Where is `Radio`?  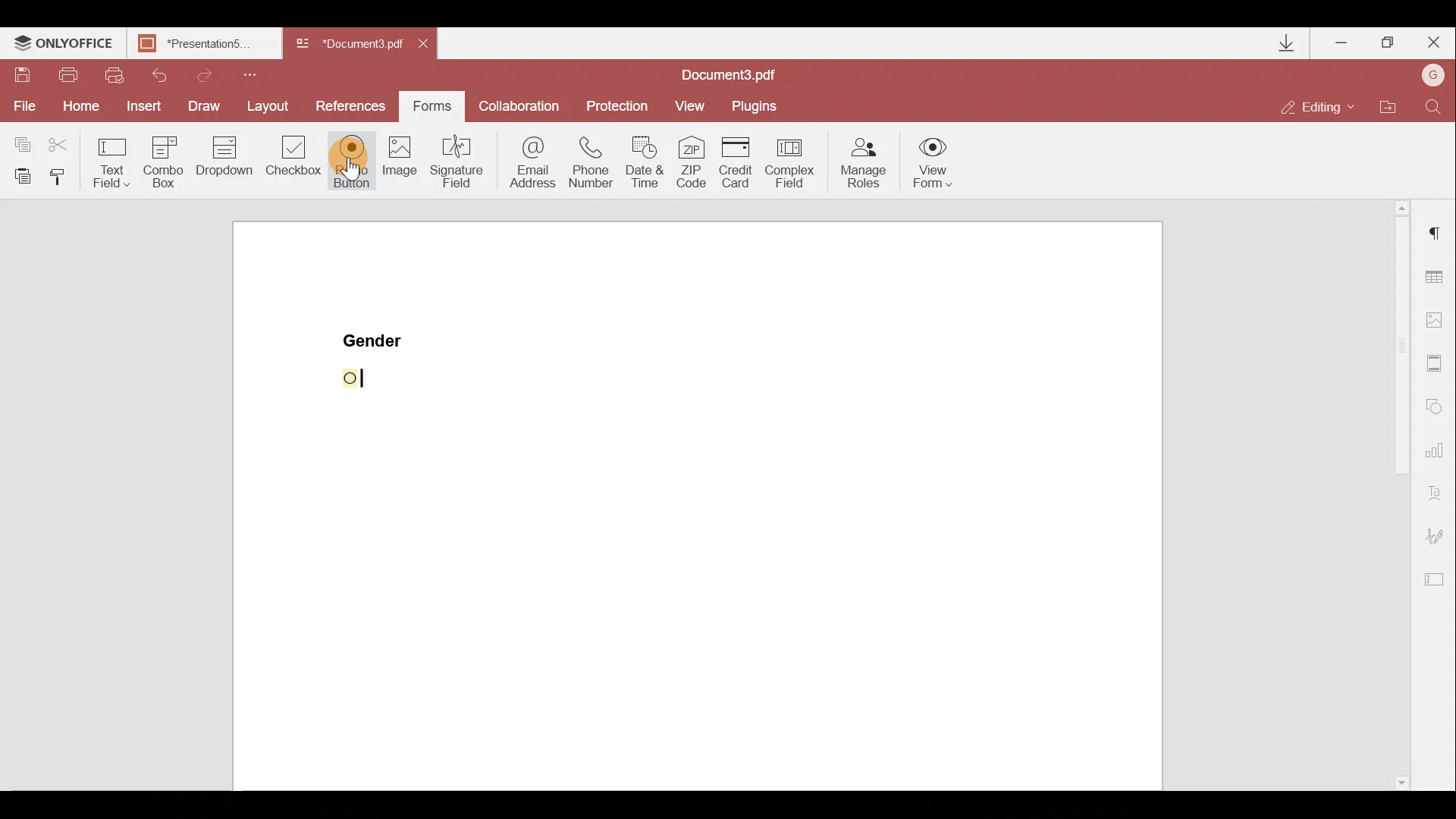 Radio is located at coordinates (352, 162).